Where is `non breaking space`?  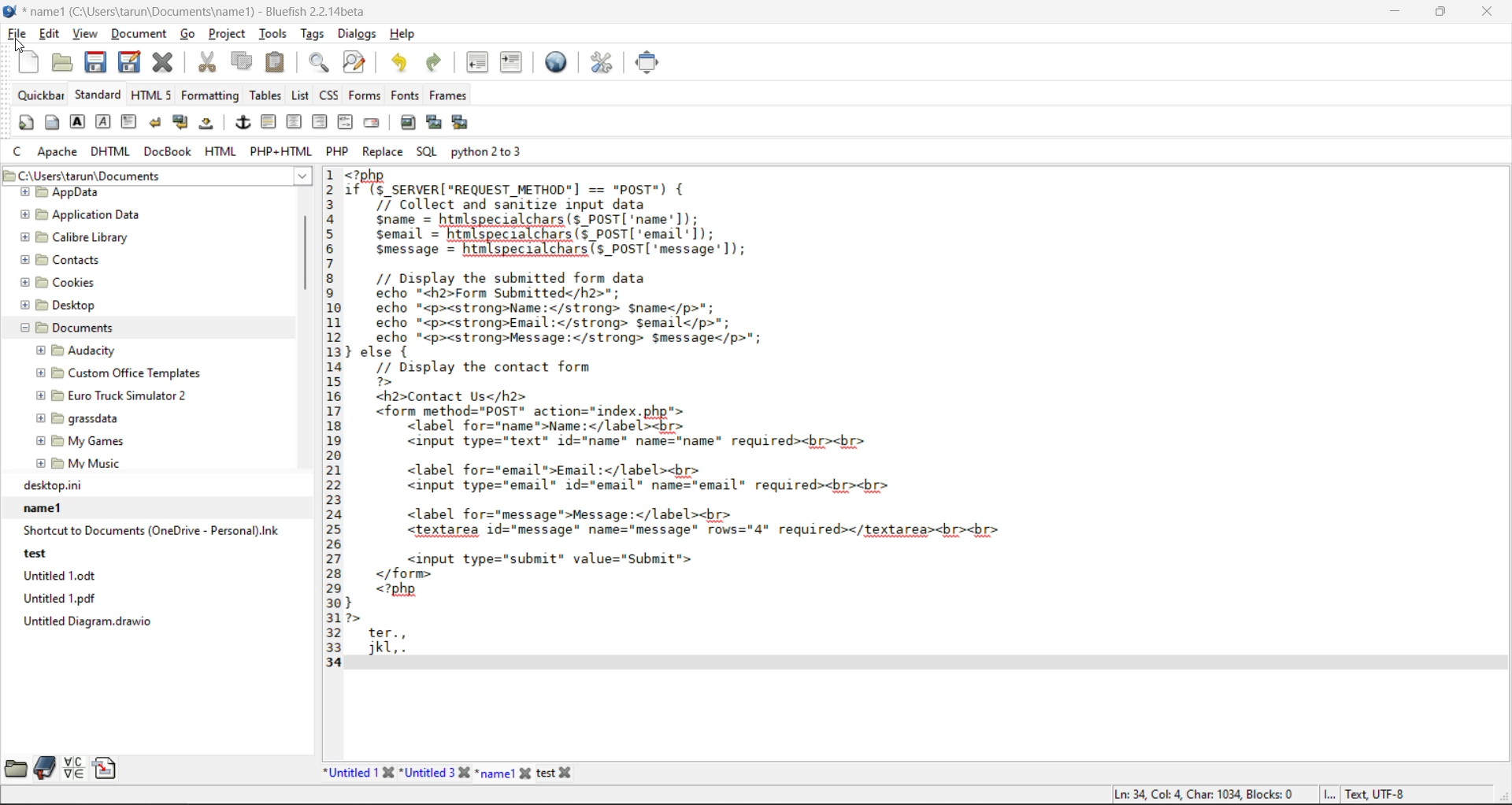
non breaking space is located at coordinates (210, 124).